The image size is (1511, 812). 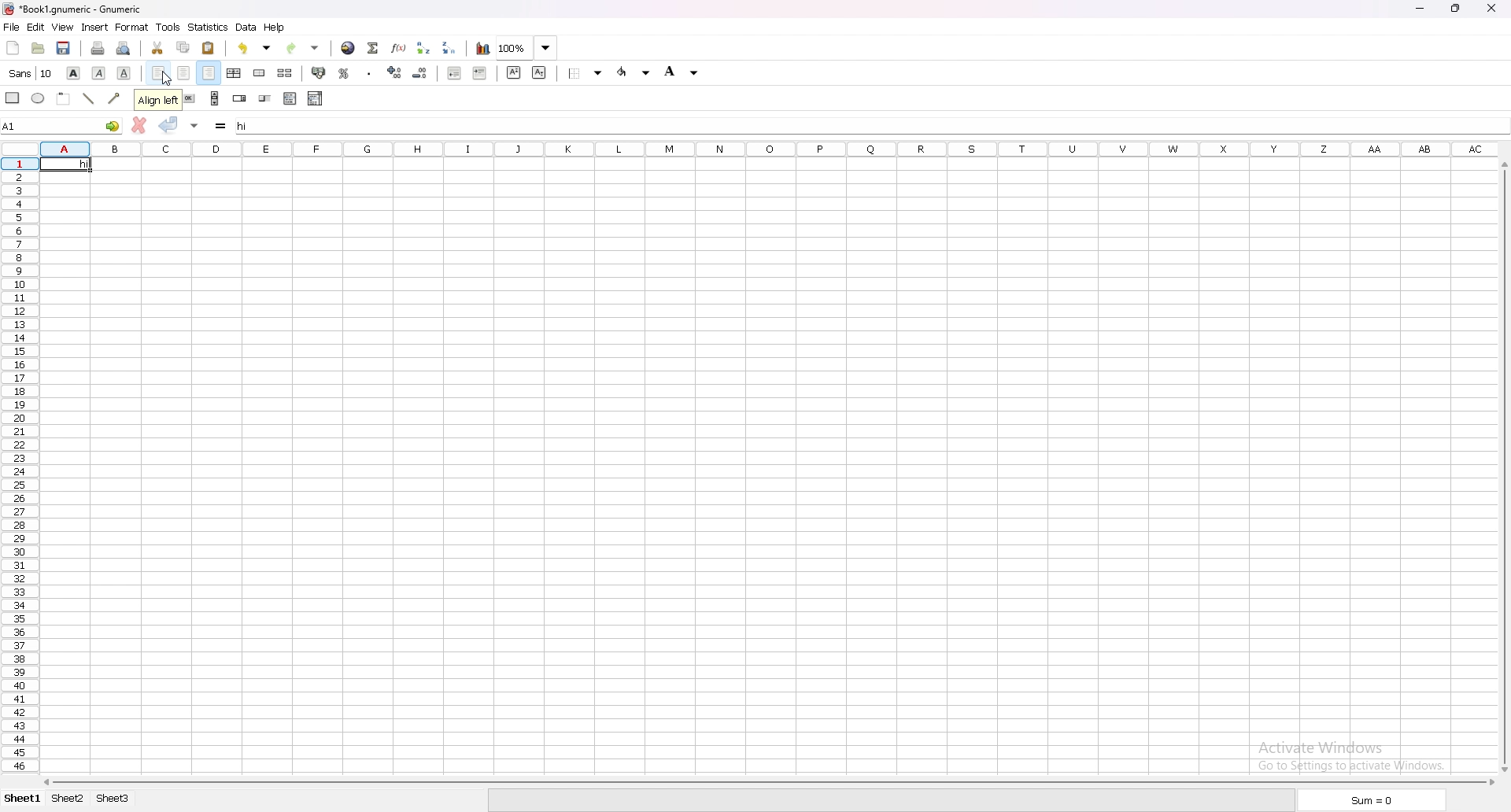 I want to click on accept changes, so click(x=169, y=125).